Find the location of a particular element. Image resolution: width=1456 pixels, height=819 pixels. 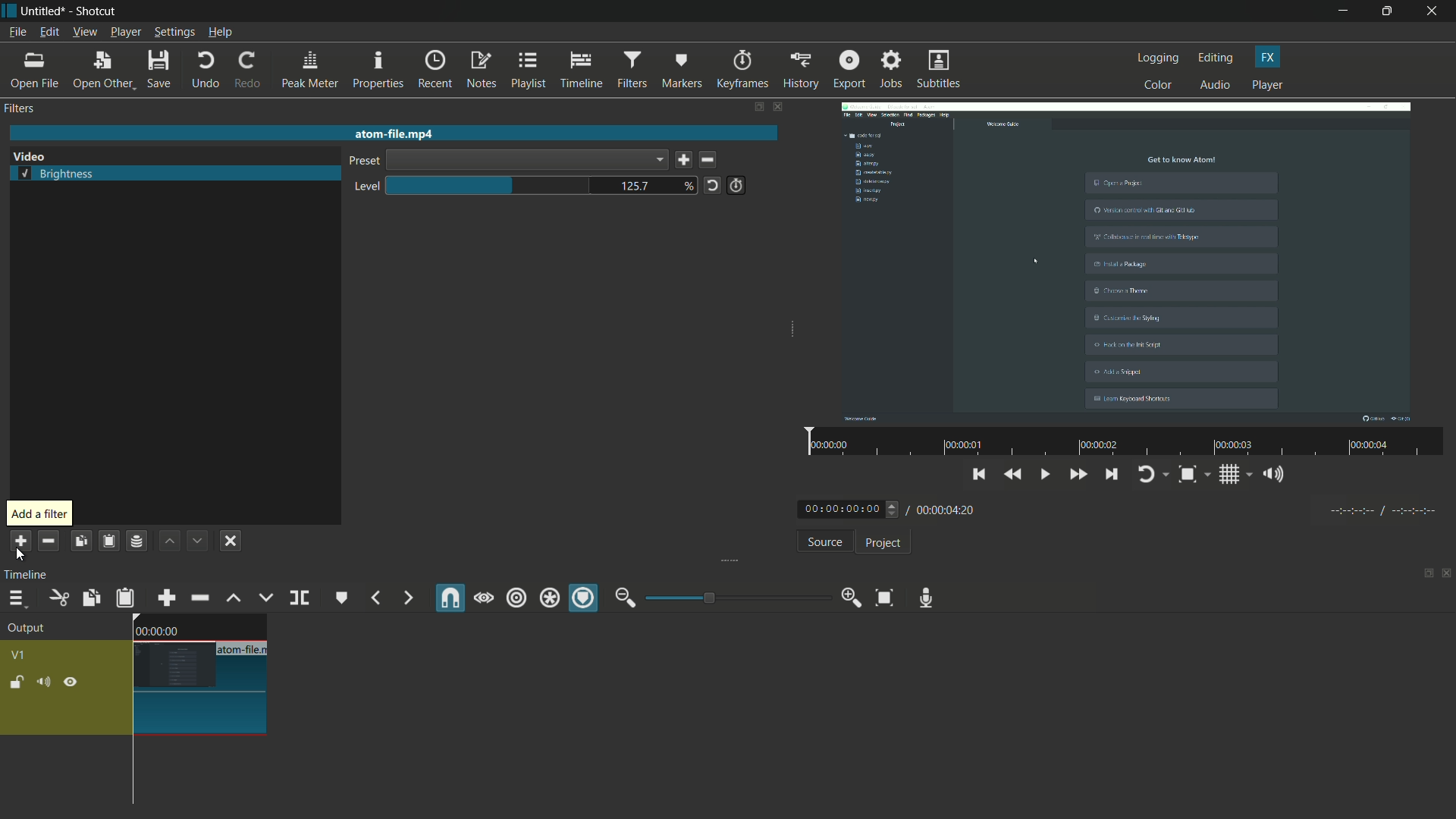

toggle player logging is located at coordinates (1153, 474).